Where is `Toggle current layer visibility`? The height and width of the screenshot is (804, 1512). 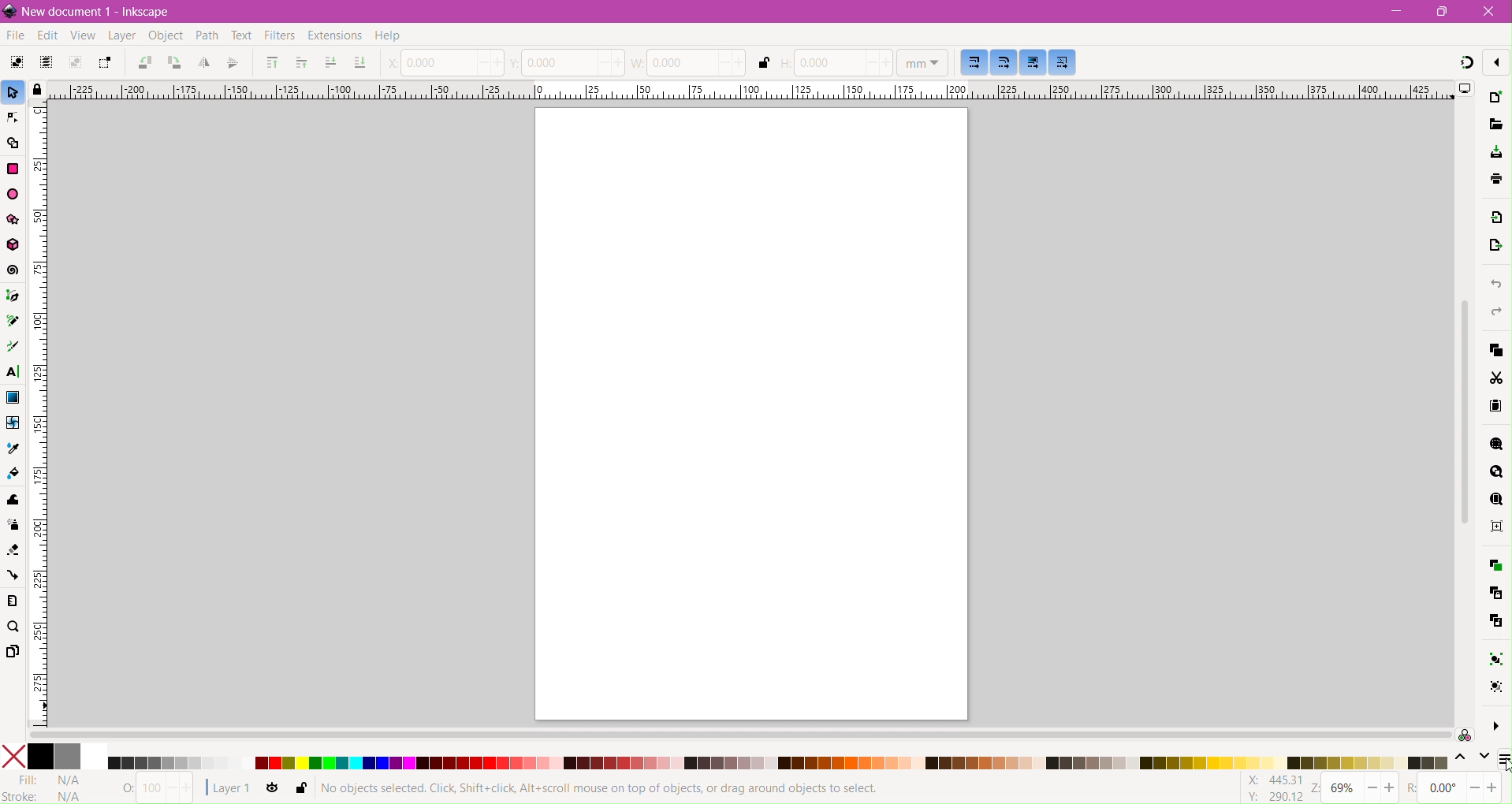 Toggle current layer visibility is located at coordinates (273, 791).